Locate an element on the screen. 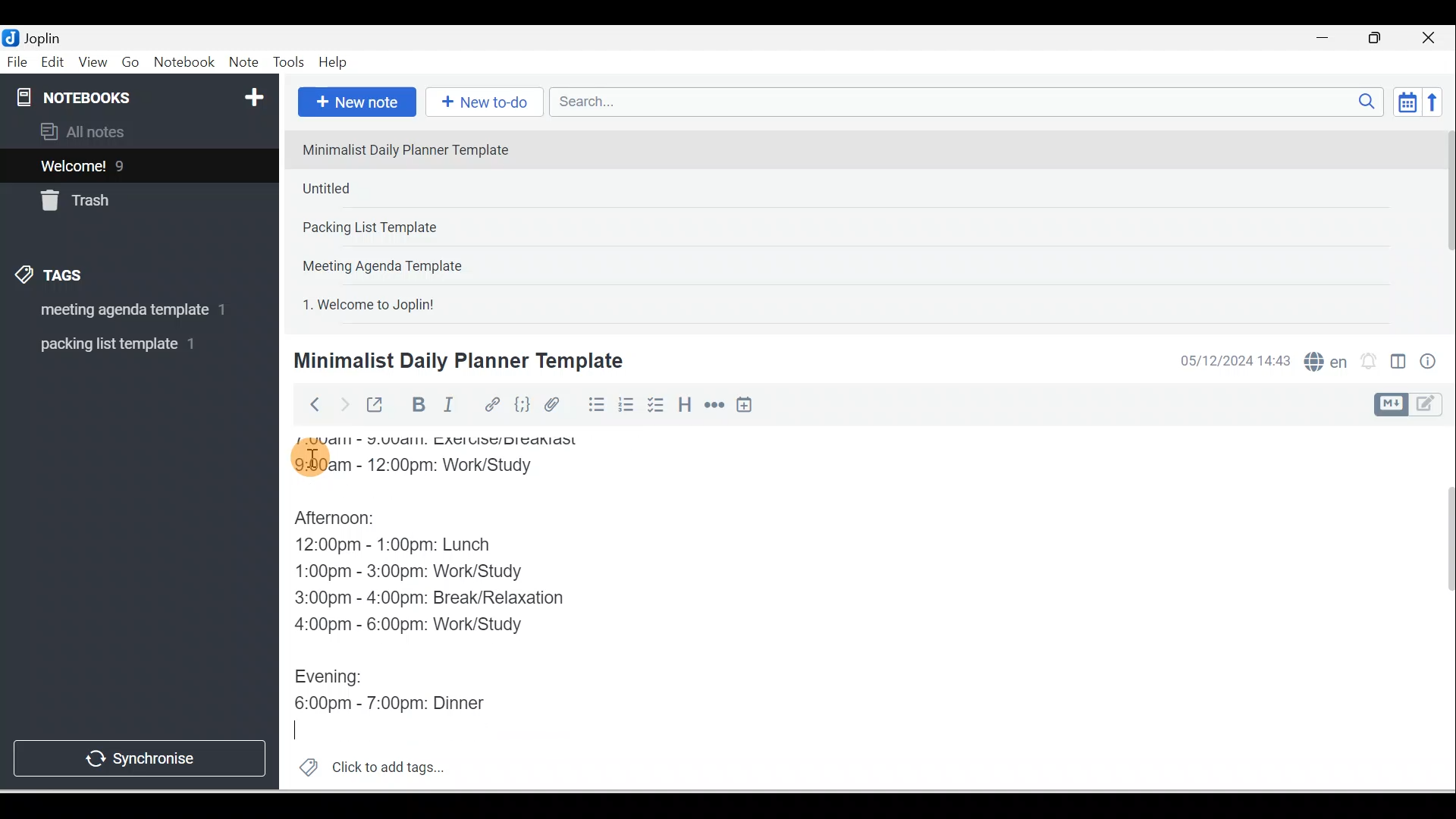 This screenshot has height=819, width=1456. Joplin is located at coordinates (46, 36).